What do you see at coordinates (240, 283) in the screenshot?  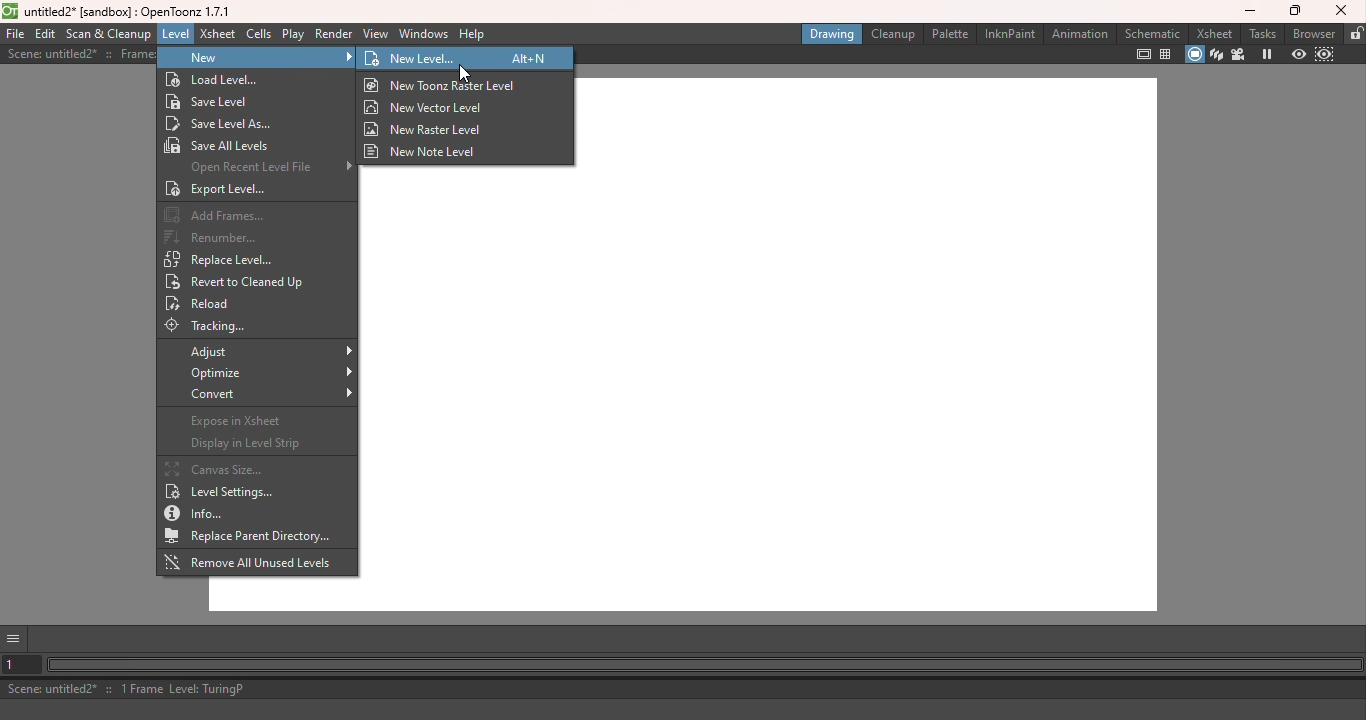 I see `Revert to cleaned up` at bounding box center [240, 283].